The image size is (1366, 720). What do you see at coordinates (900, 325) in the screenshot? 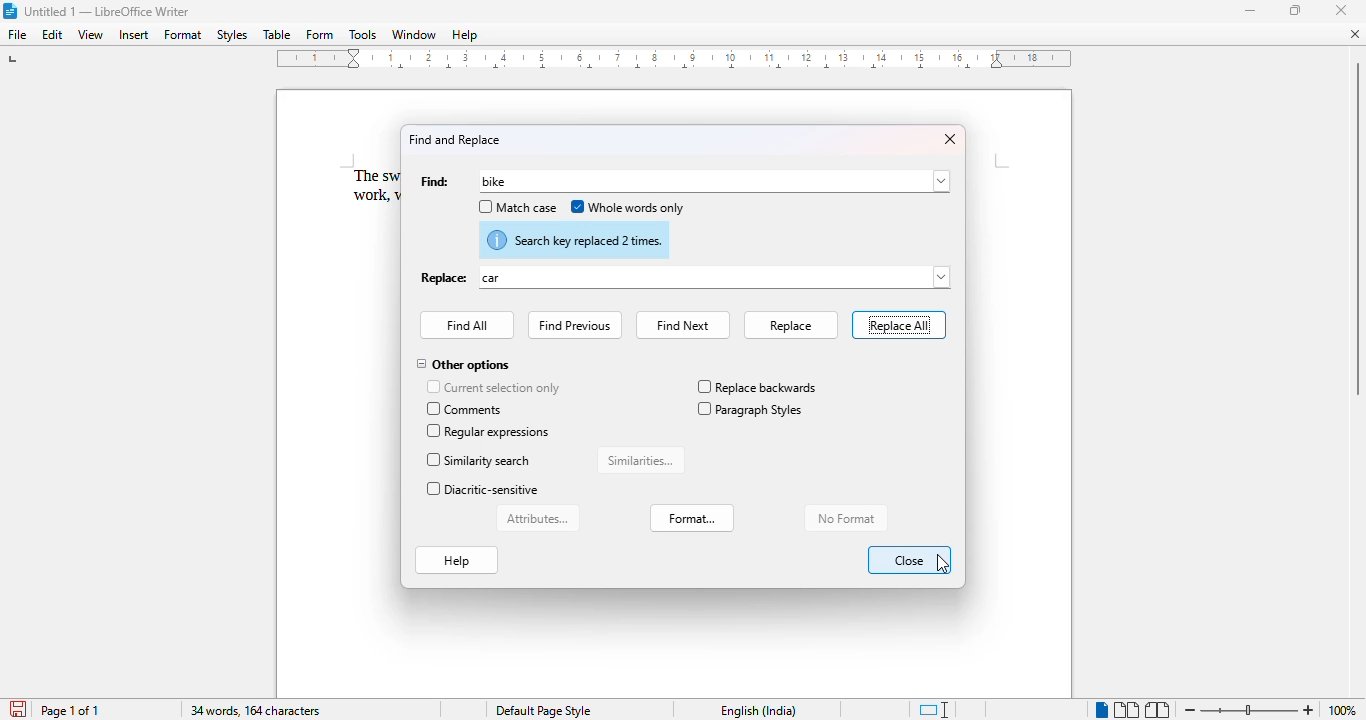
I see `replace all` at bounding box center [900, 325].